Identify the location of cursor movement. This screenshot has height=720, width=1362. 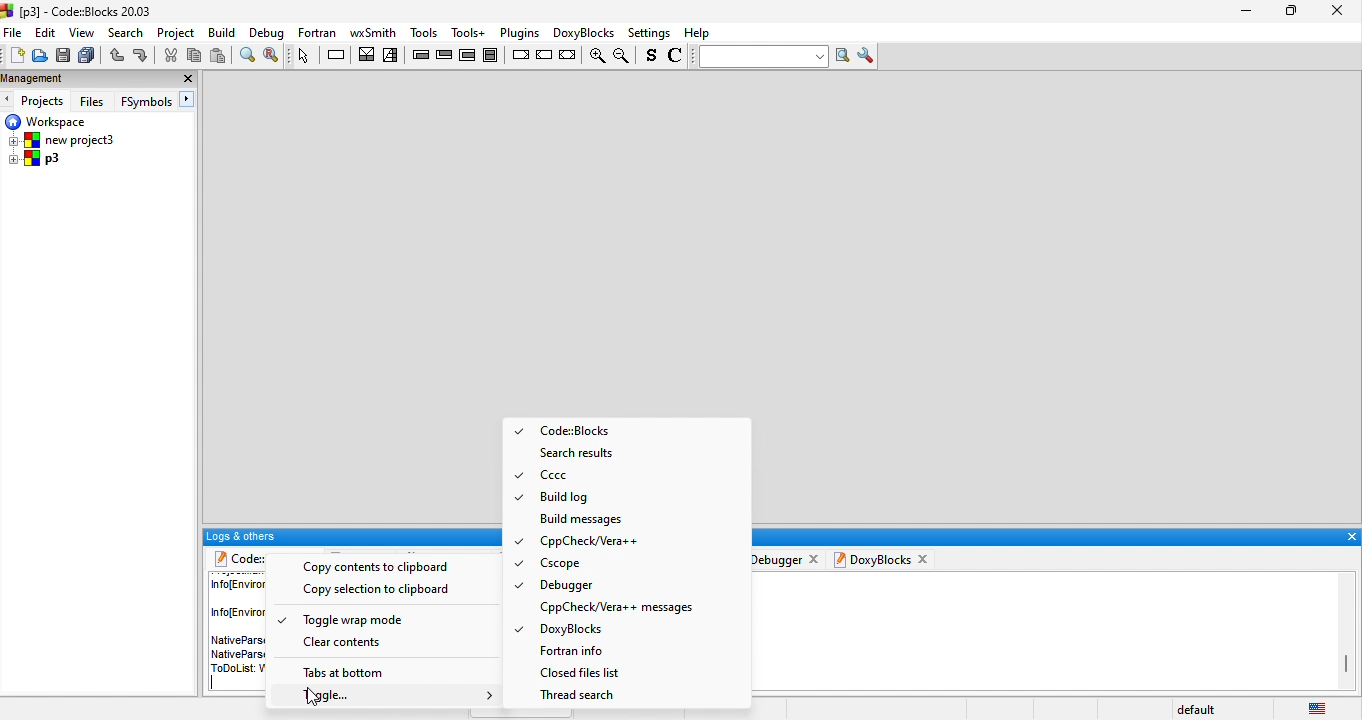
(313, 699).